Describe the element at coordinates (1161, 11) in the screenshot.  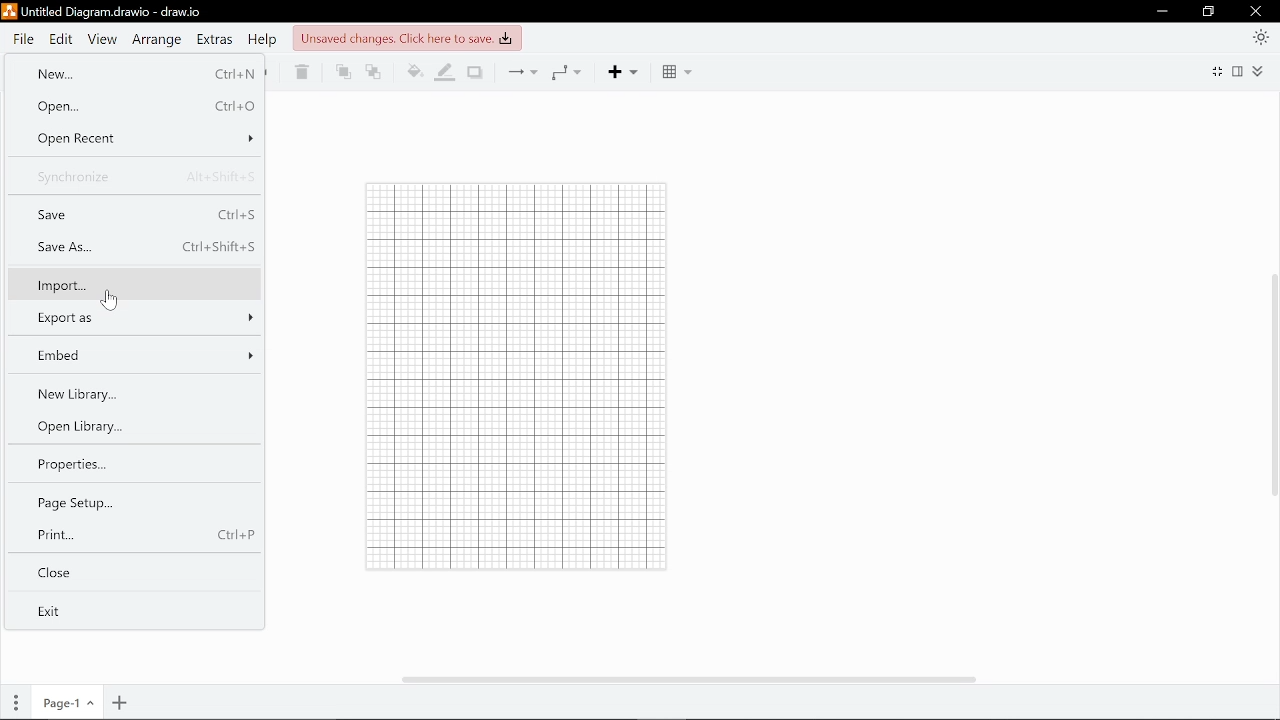
I see `Minimize` at that location.